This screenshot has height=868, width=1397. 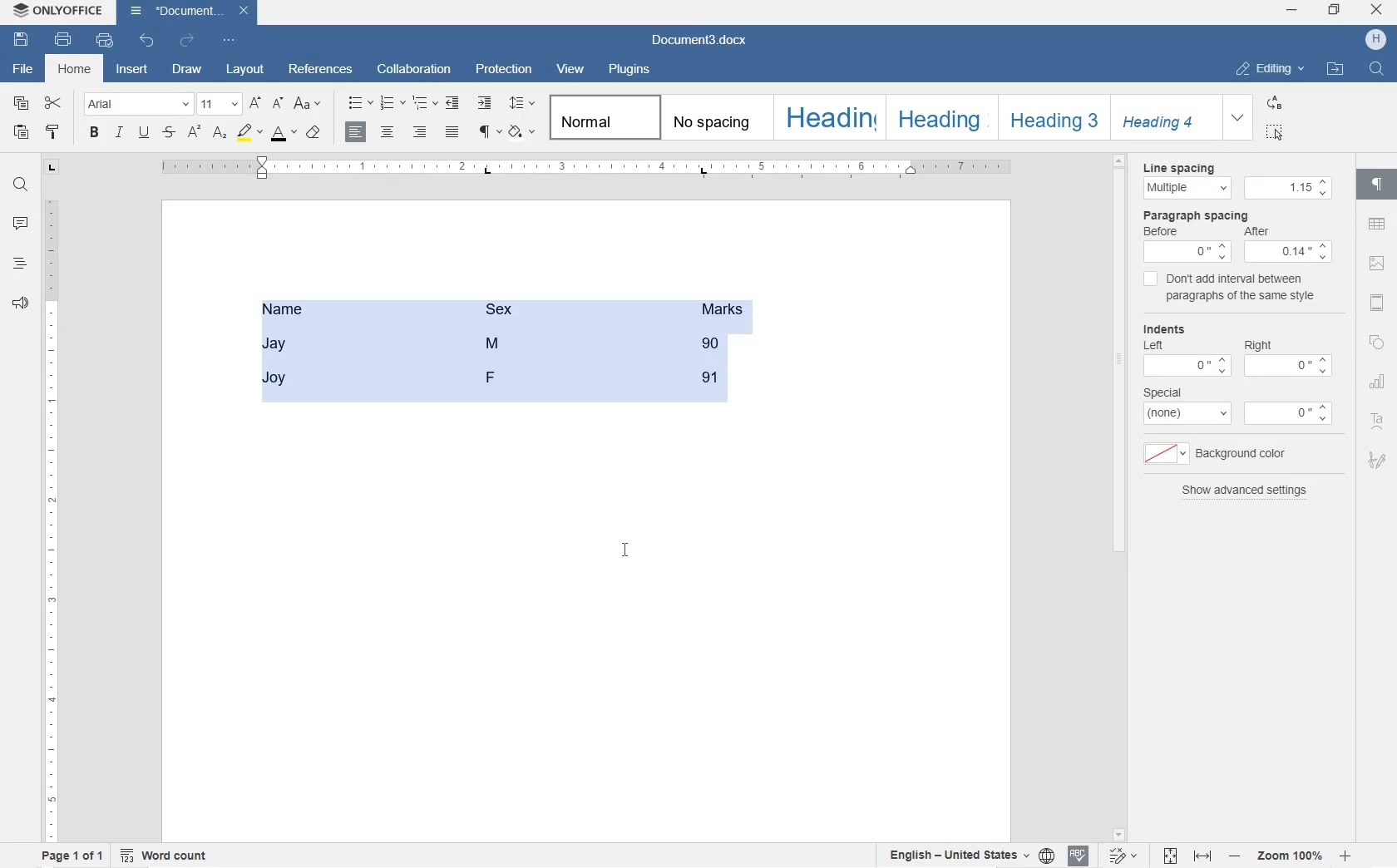 What do you see at coordinates (72, 12) in the screenshot?
I see `ONLYOFFICE` at bounding box center [72, 12].